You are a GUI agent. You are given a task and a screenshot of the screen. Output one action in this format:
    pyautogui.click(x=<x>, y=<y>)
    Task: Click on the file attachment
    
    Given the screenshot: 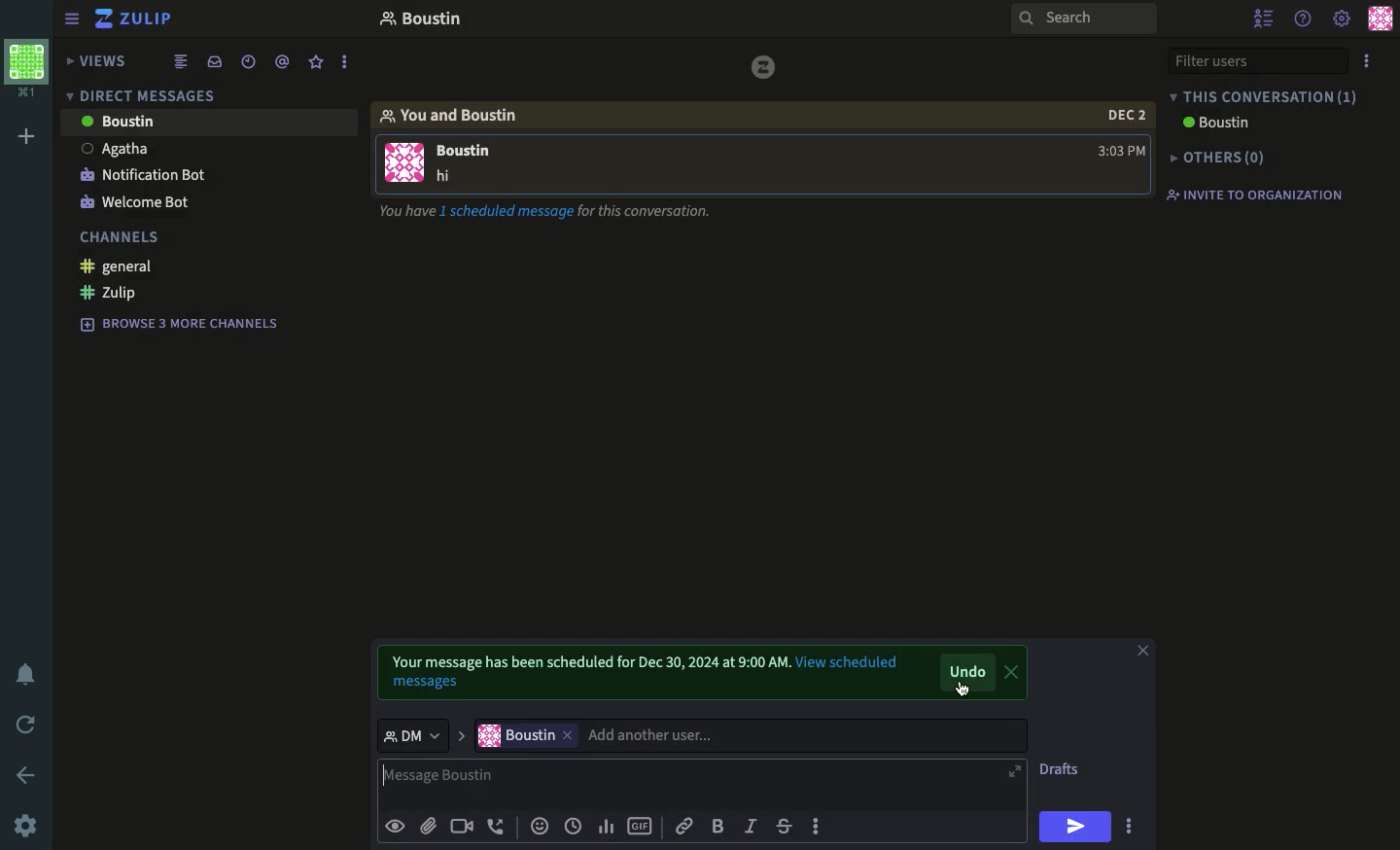 What is the action you would take?
    pyautogui.click(x=428, y=825)
    